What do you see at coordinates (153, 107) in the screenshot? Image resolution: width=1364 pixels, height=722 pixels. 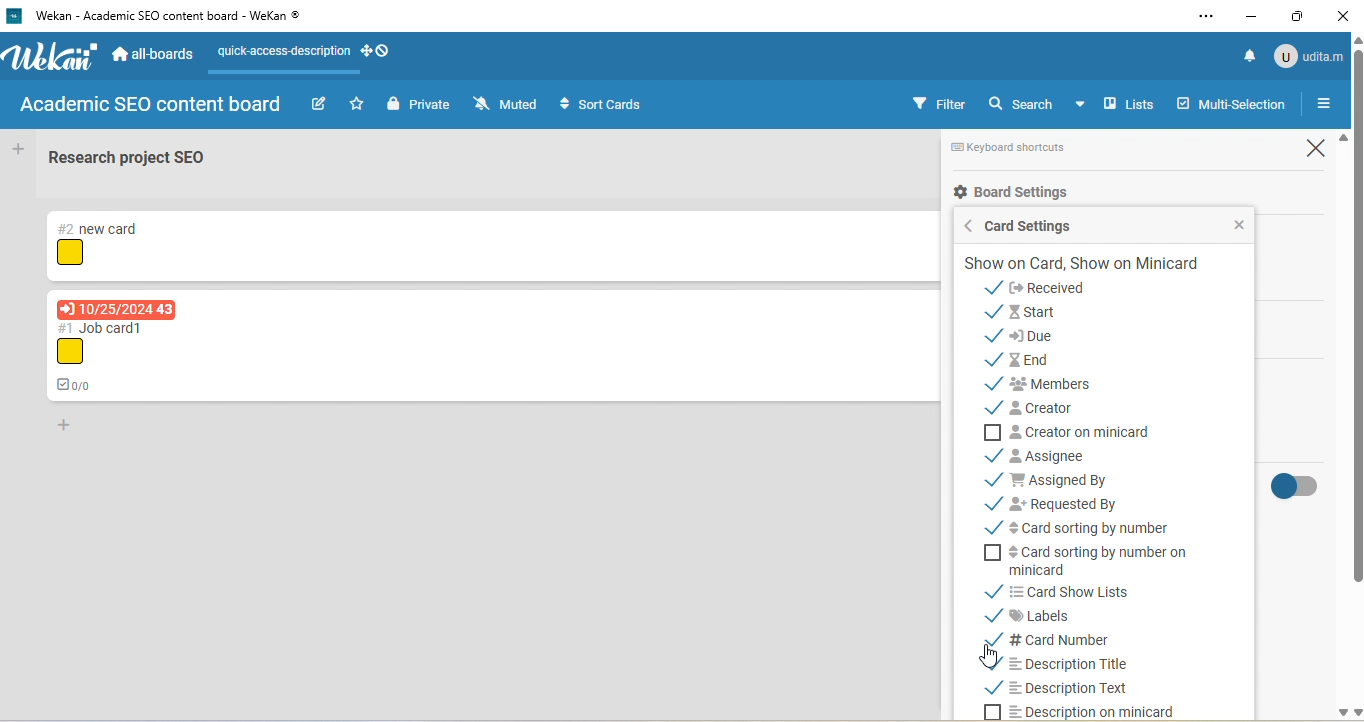 I see `academic seo content board` at bounding box center [153, 107].